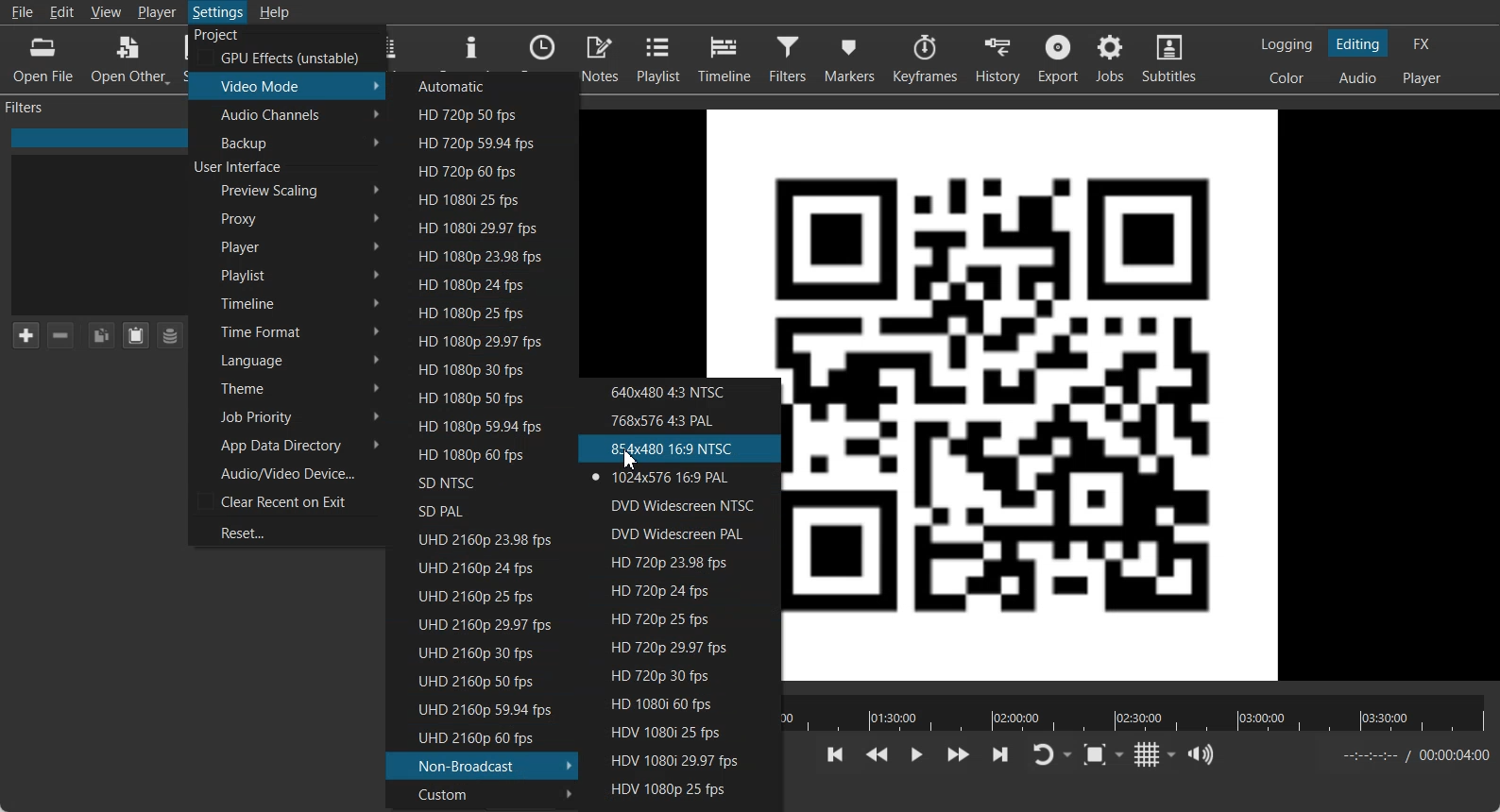  Describe the element at coordinates (751, 240) in the screenshot. I see `QR code` at that location.